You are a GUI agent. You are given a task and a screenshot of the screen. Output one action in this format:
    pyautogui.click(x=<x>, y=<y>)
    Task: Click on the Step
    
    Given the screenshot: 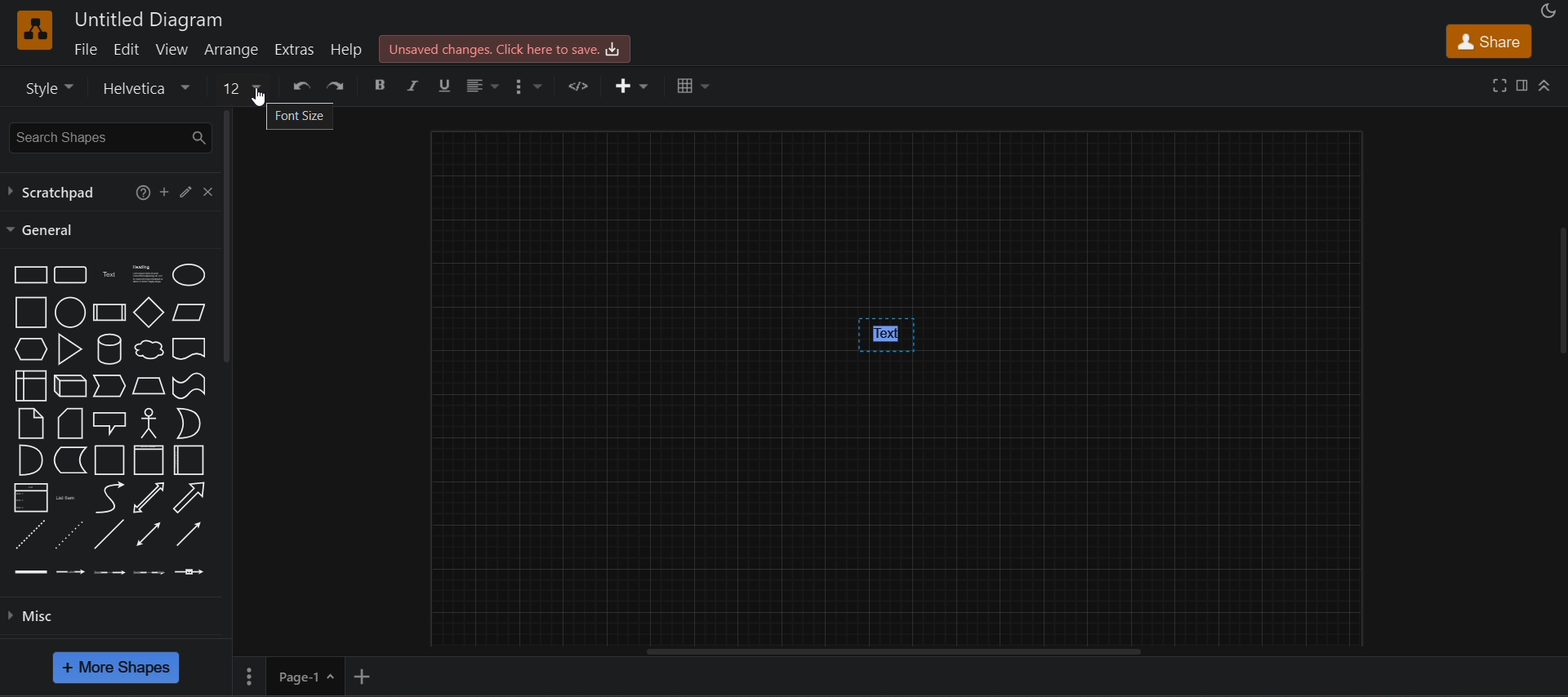 What is the action you would take?
    pyautogui.click(x=109, y=386)
    